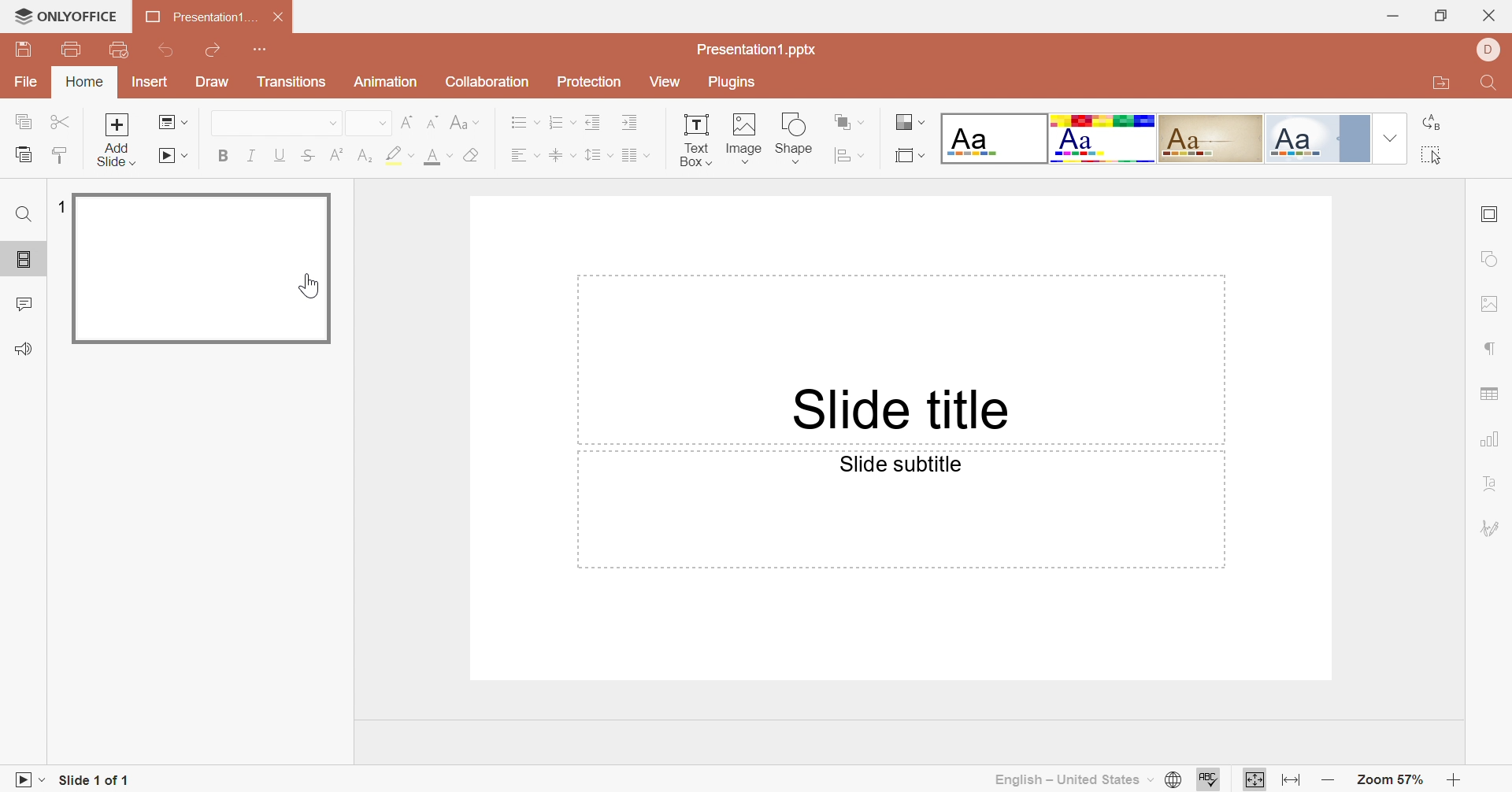 The image size is (1512, 792). What do you see at coordinates (792, 139) in the screenshot?
I see `Shape` at bounding box center [792, 139].